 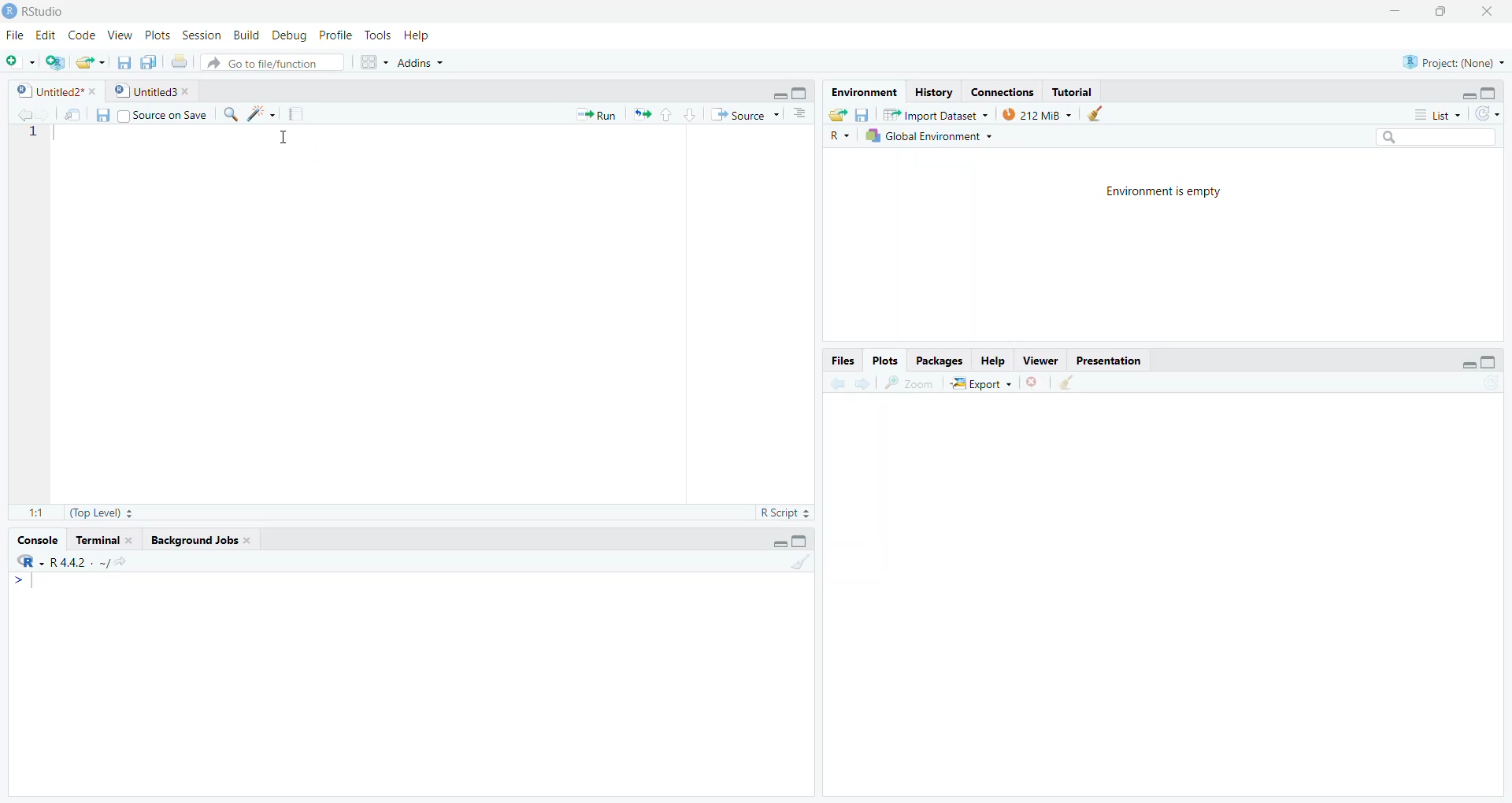 I want to click on go to previous section, so click(x=668, y=113).